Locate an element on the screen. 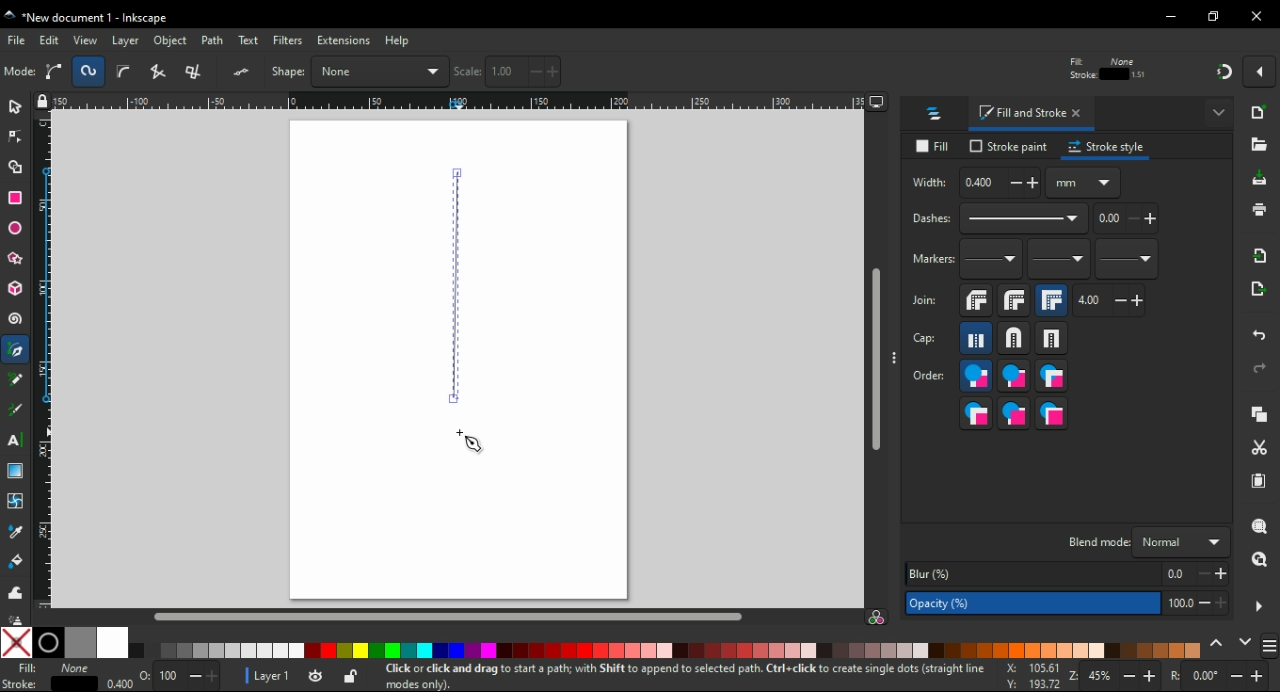 Image resolution: width=1280 pixels, height=692 pixels. color tone pallete is located at coordinates (761, 650).